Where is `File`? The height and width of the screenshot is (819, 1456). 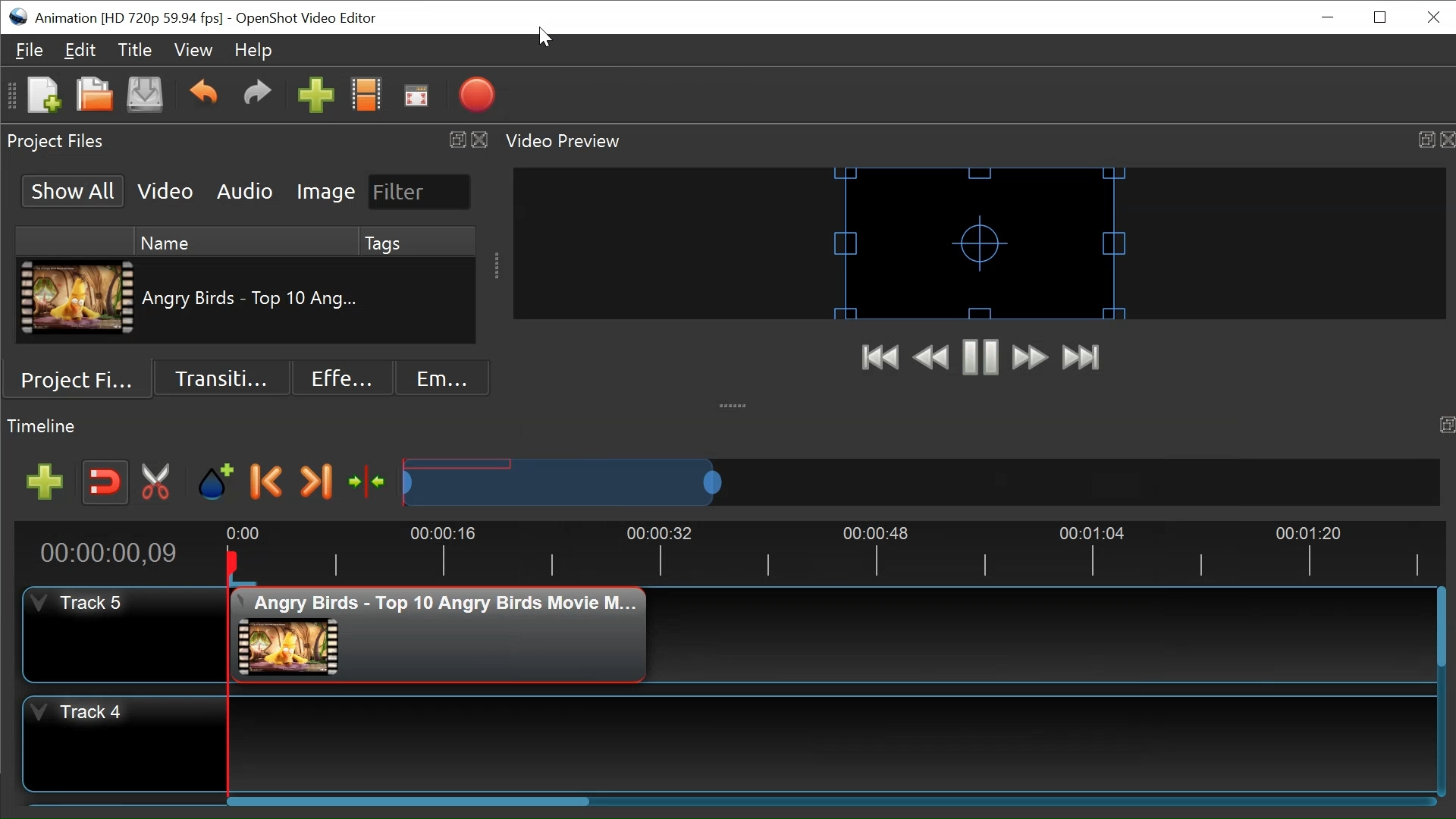
File is located at coordinates (30, 50).